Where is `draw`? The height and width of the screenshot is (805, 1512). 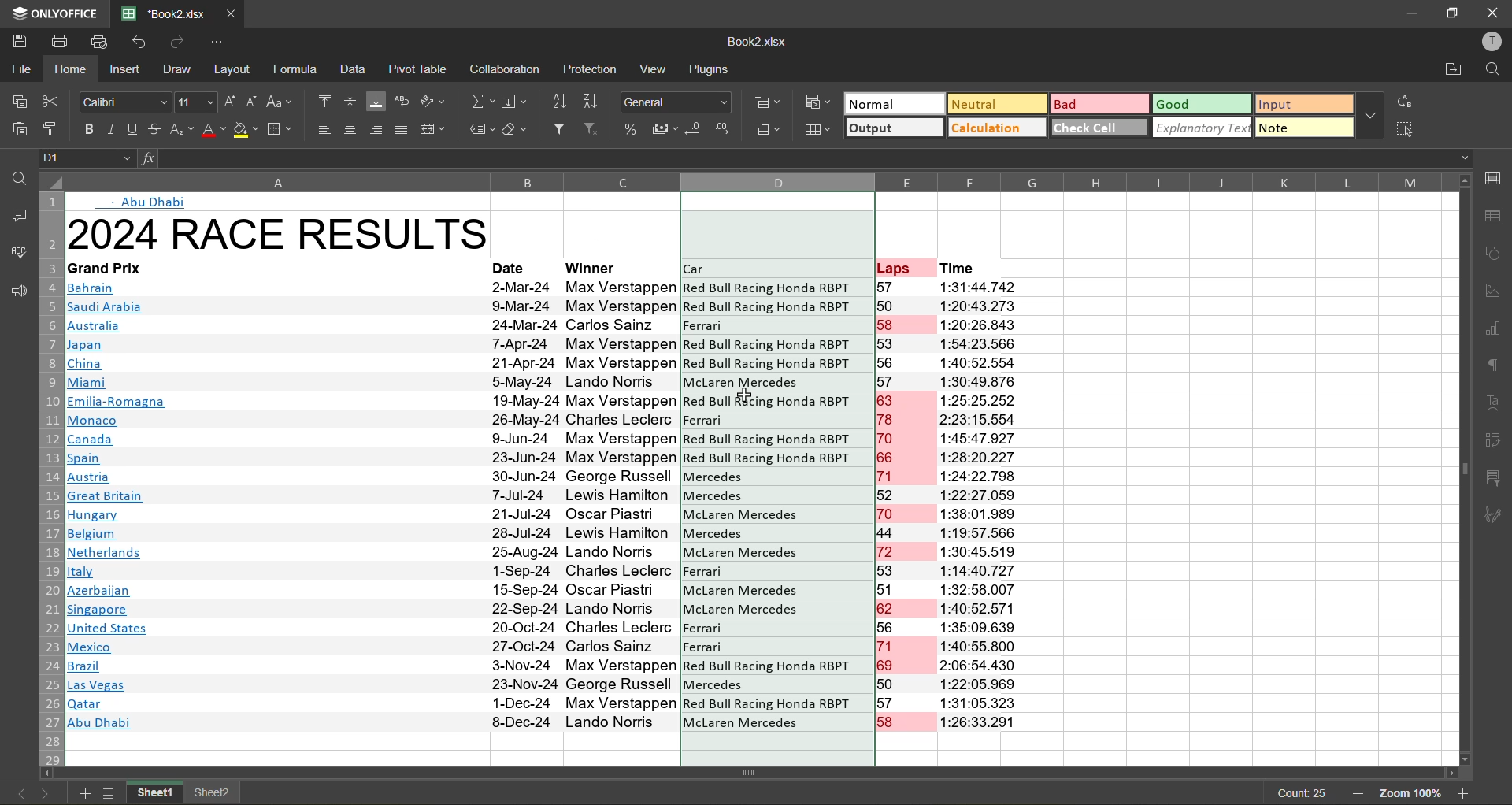
draw is located at coordinates (176, 69).